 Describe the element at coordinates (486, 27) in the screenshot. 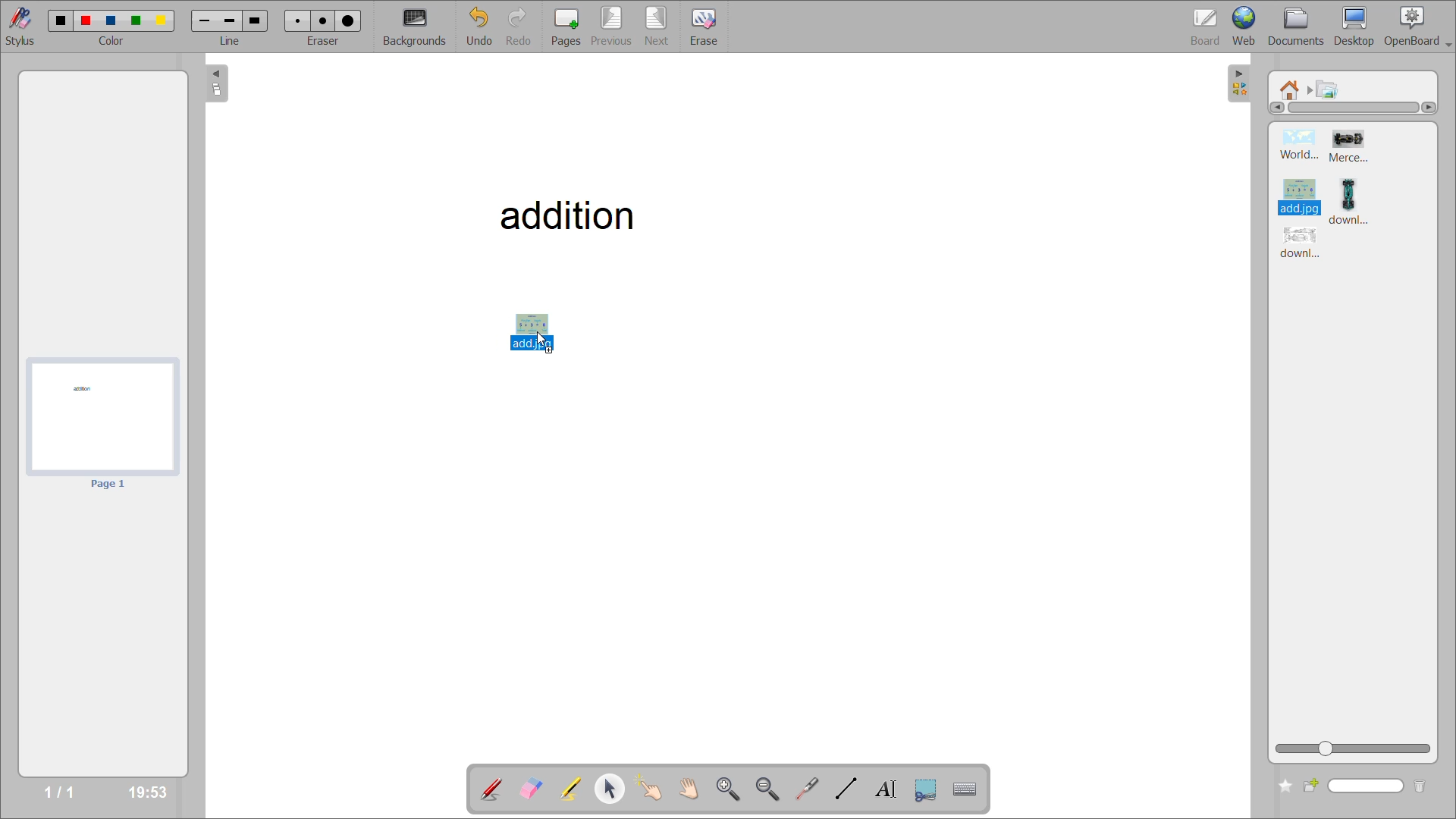

I see `undo` at that location.